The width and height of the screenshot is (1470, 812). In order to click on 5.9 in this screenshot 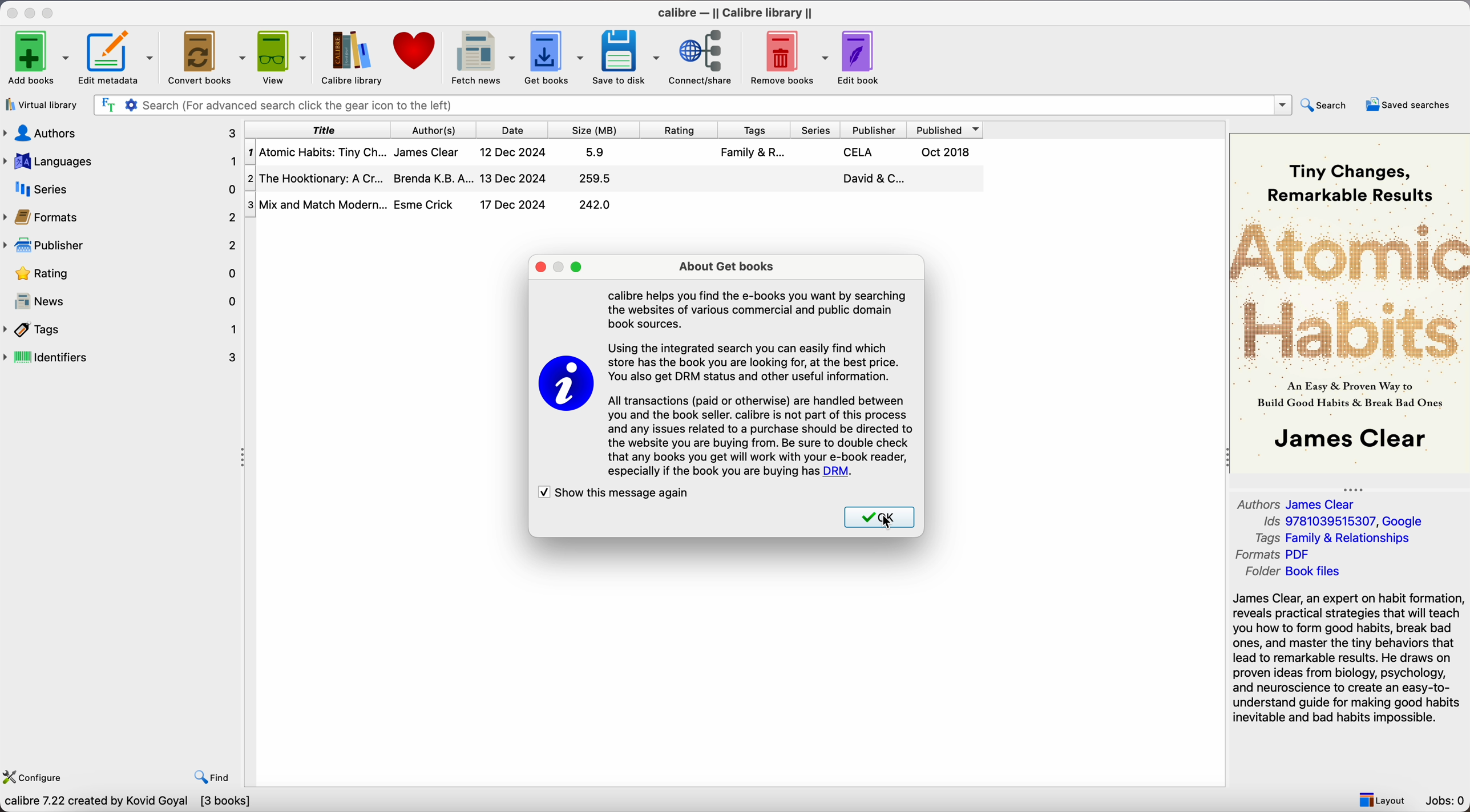, I will do `click(596, 152)`.